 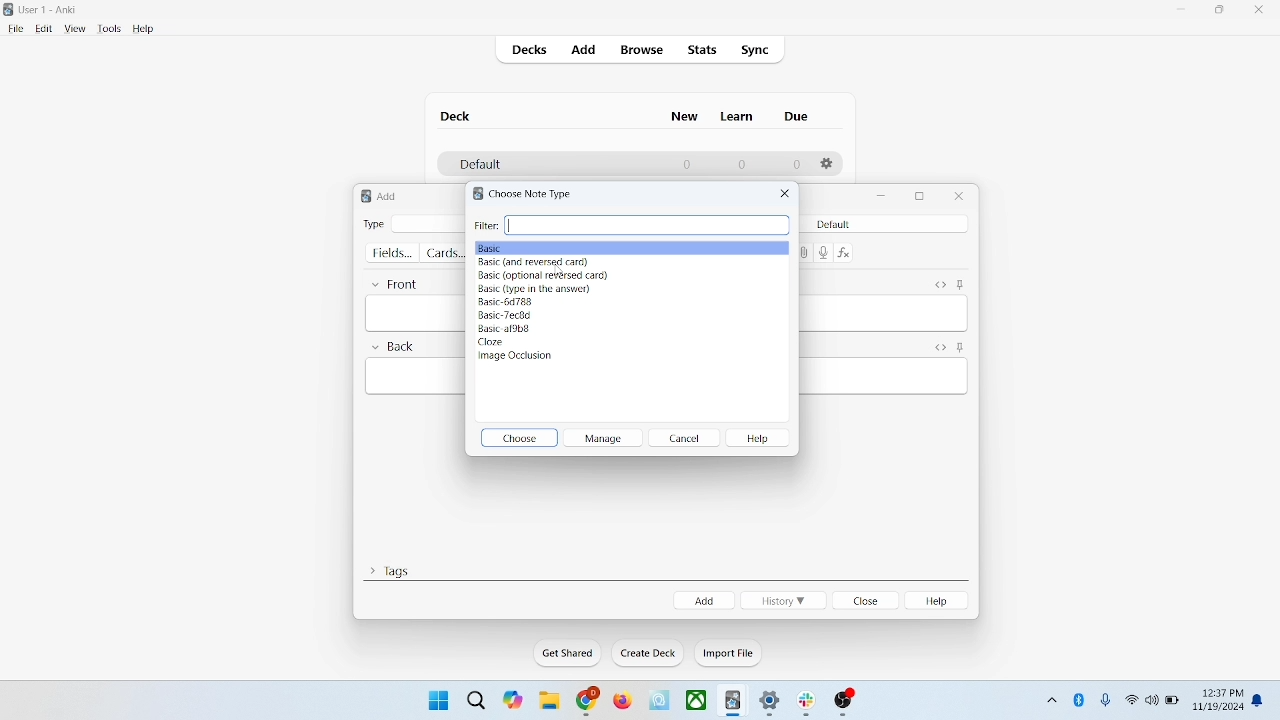 I want to click on close, so click(x=960, y=196).